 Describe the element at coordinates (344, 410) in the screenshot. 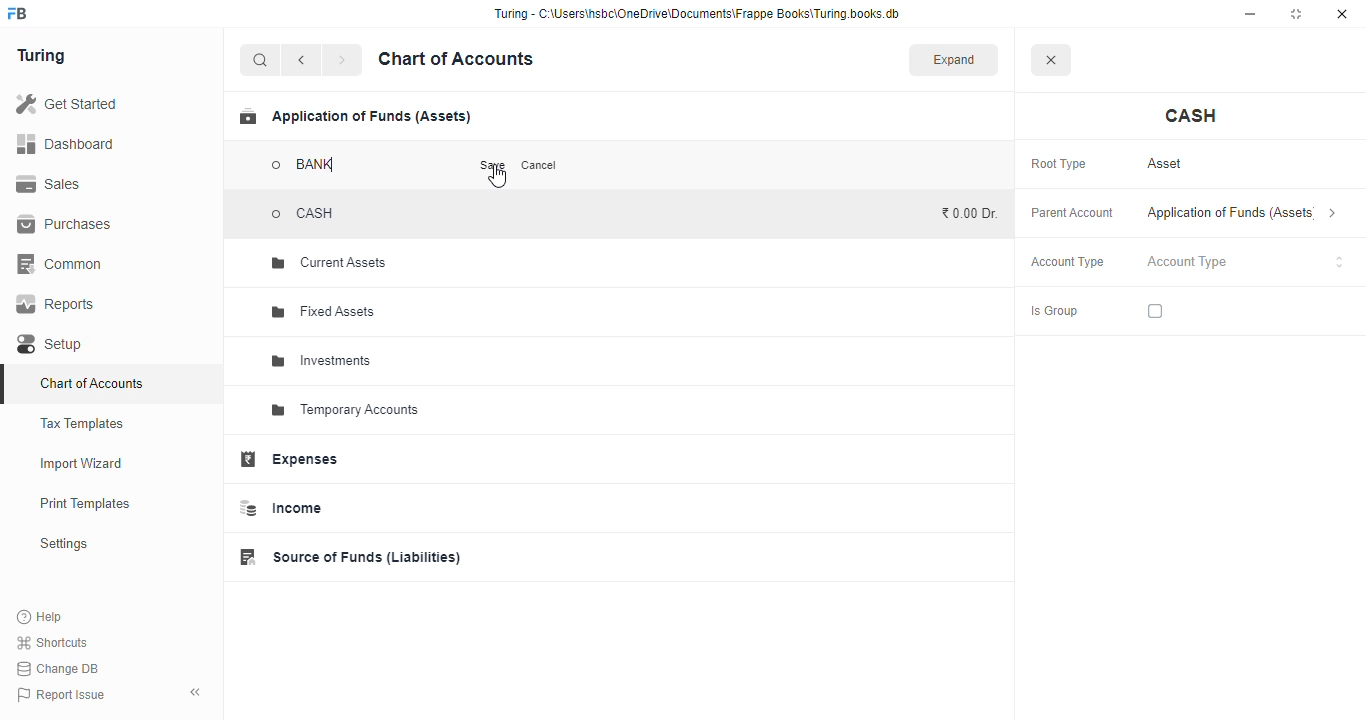

I see `temporary accounts` at that location.